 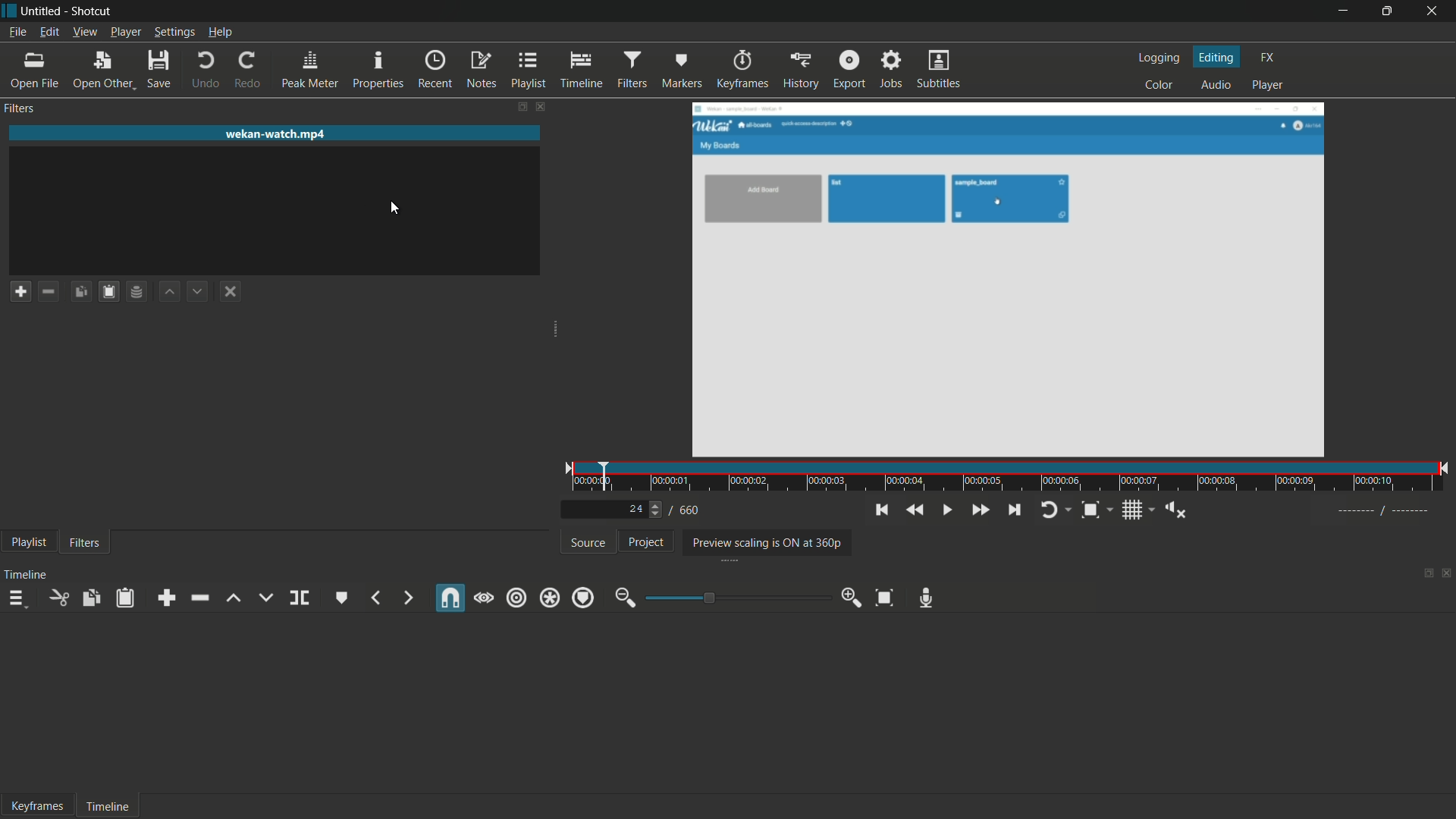 I want to click on zoom out, so click(x=623, y=599).